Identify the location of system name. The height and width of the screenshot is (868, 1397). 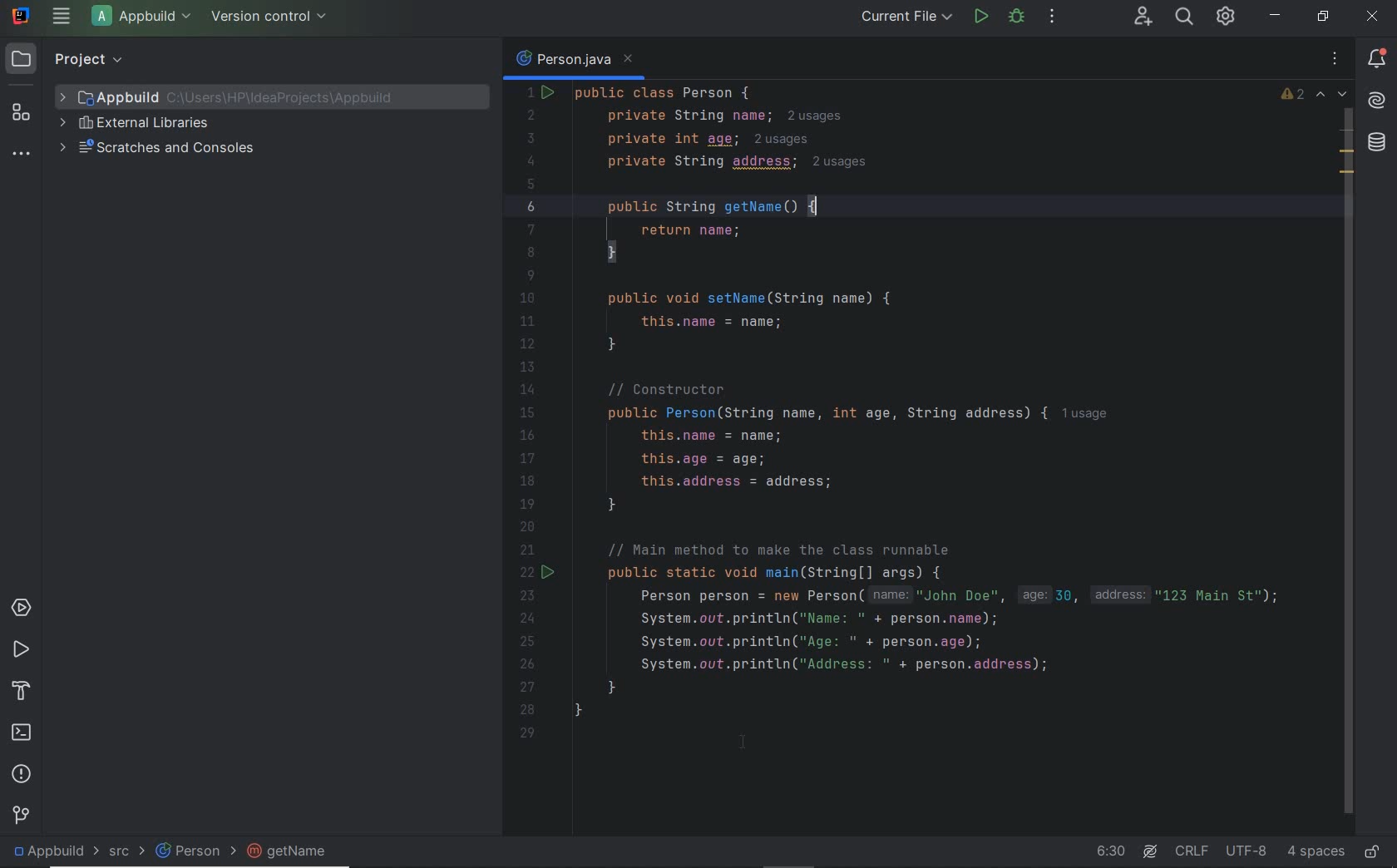
(22, 16).